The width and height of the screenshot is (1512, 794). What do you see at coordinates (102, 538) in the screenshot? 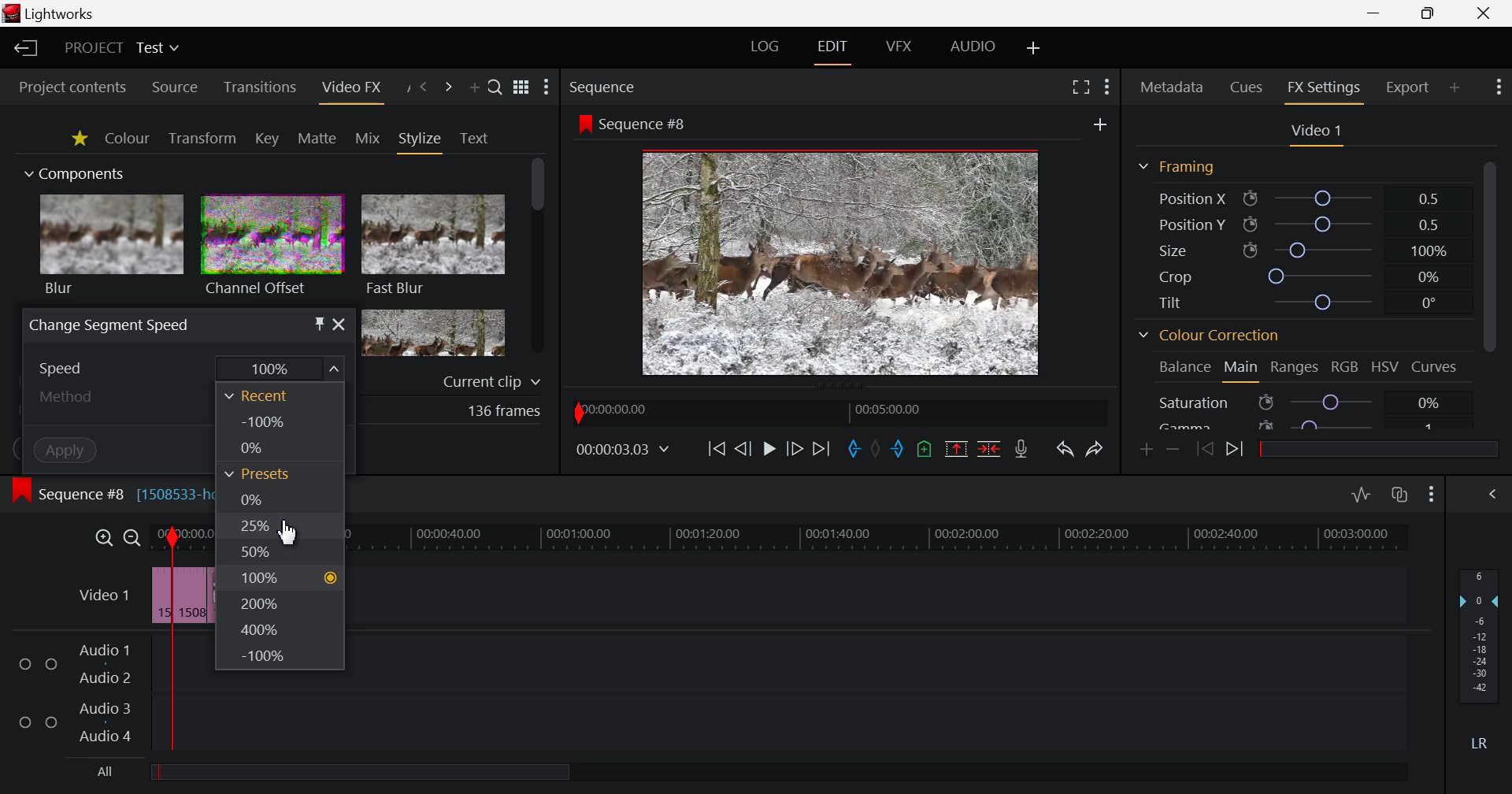
I see `Timeline Zoom In` at bounding box center [102, 538].